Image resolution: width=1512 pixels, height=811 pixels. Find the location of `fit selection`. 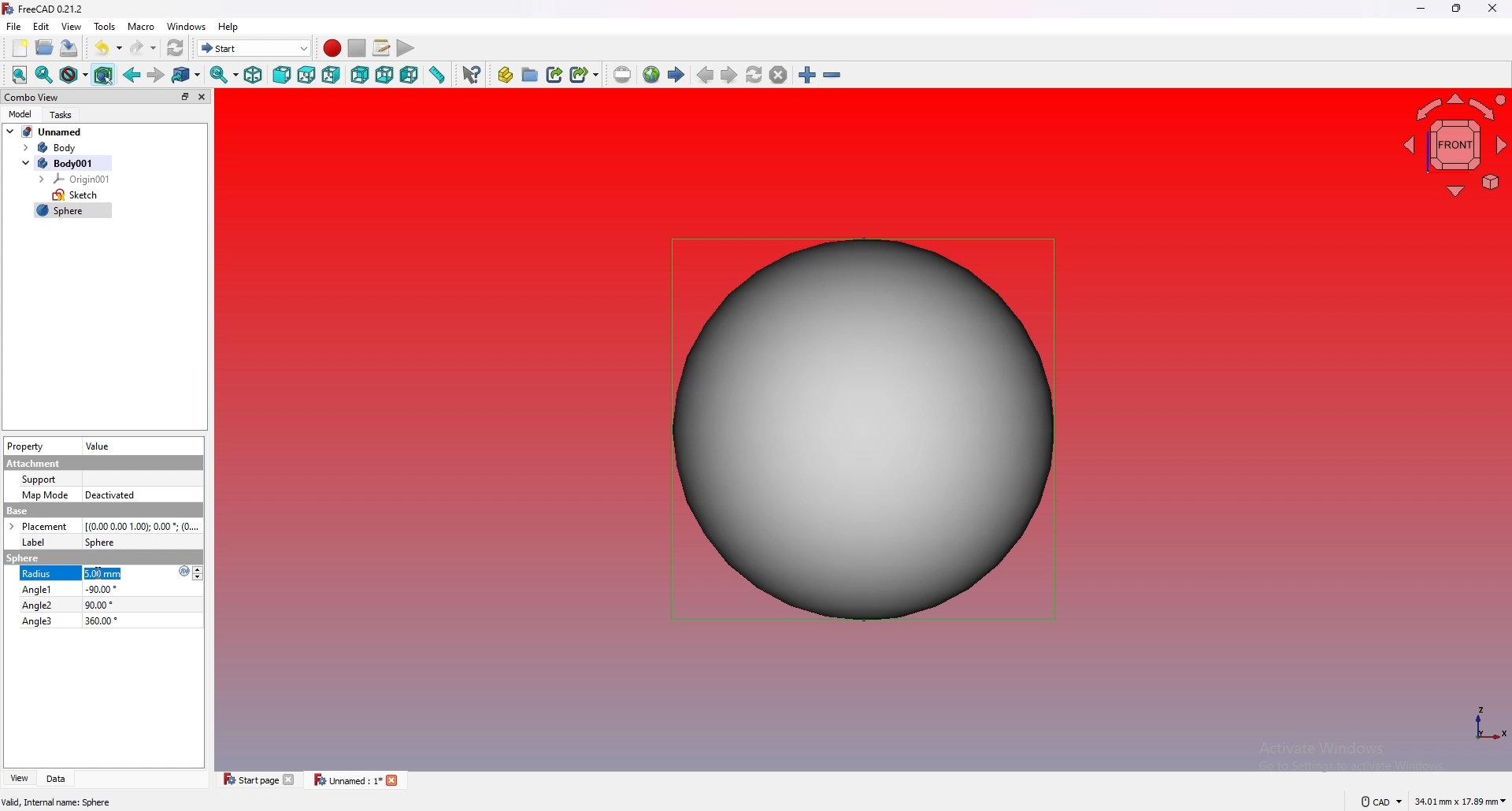

fit selection is located at coordinates (44, 76).